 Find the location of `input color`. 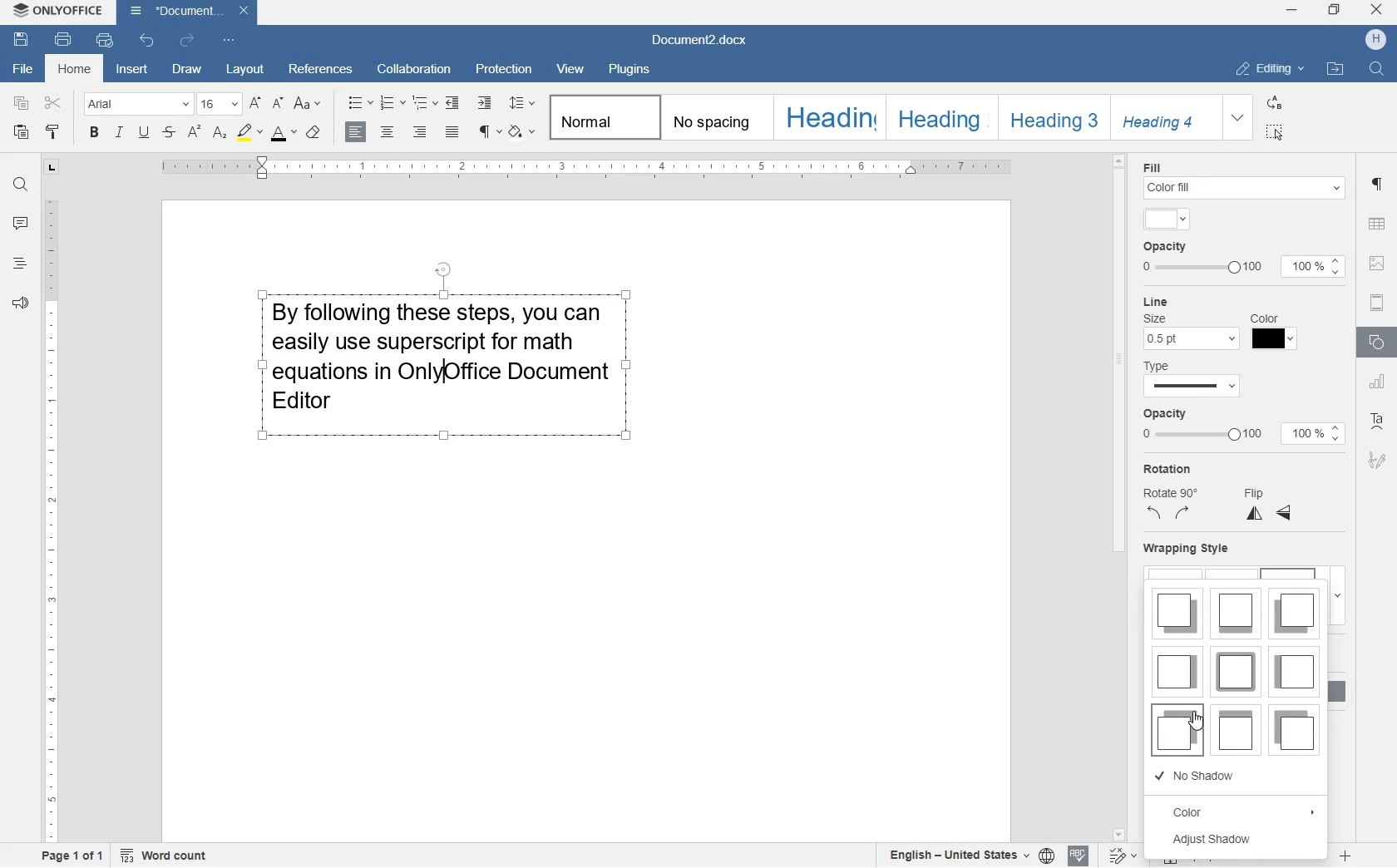

input color is located at coordinates (1166, 219).